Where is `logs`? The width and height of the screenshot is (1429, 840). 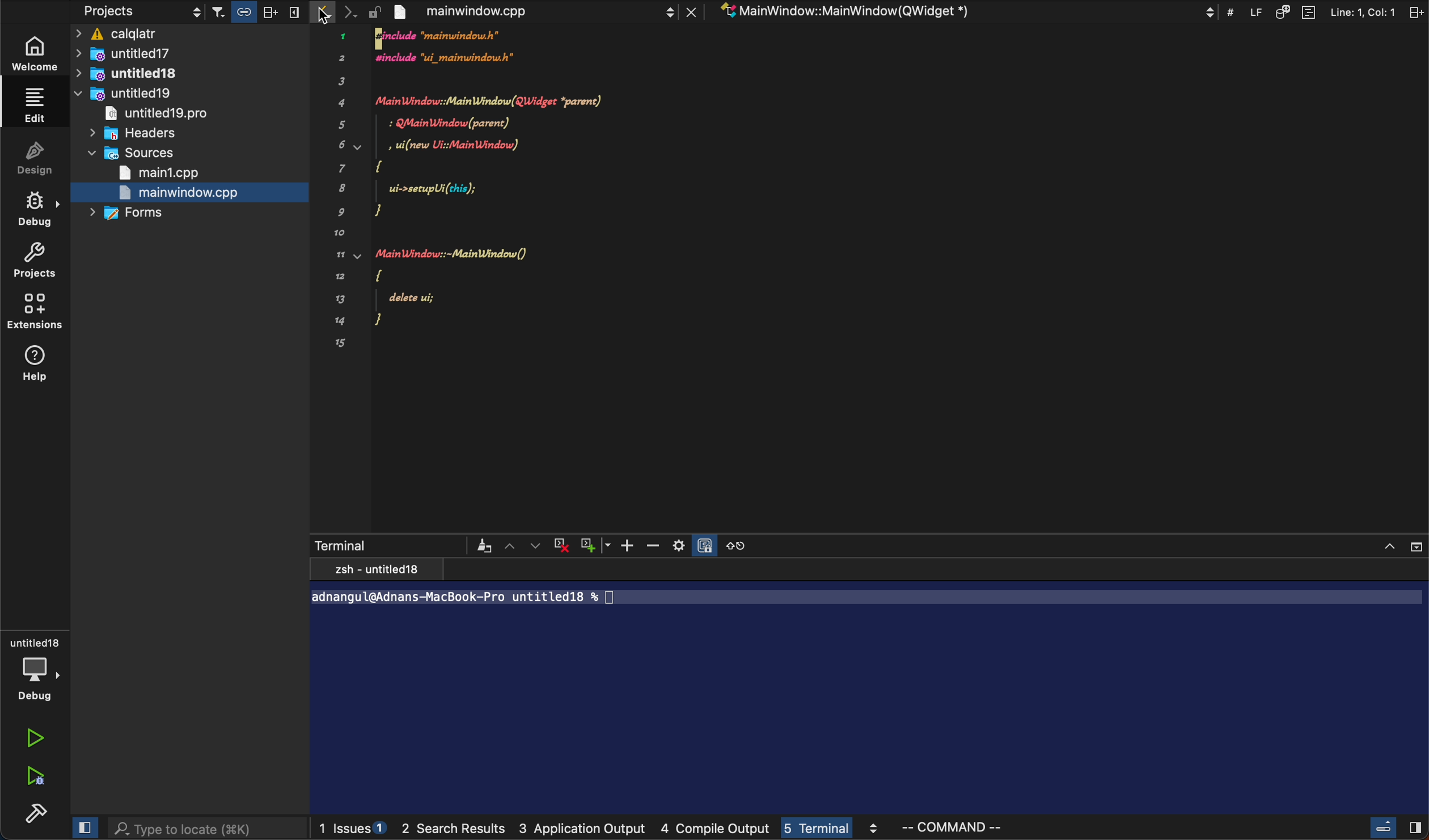
logs is located at coordinates (662, 831).